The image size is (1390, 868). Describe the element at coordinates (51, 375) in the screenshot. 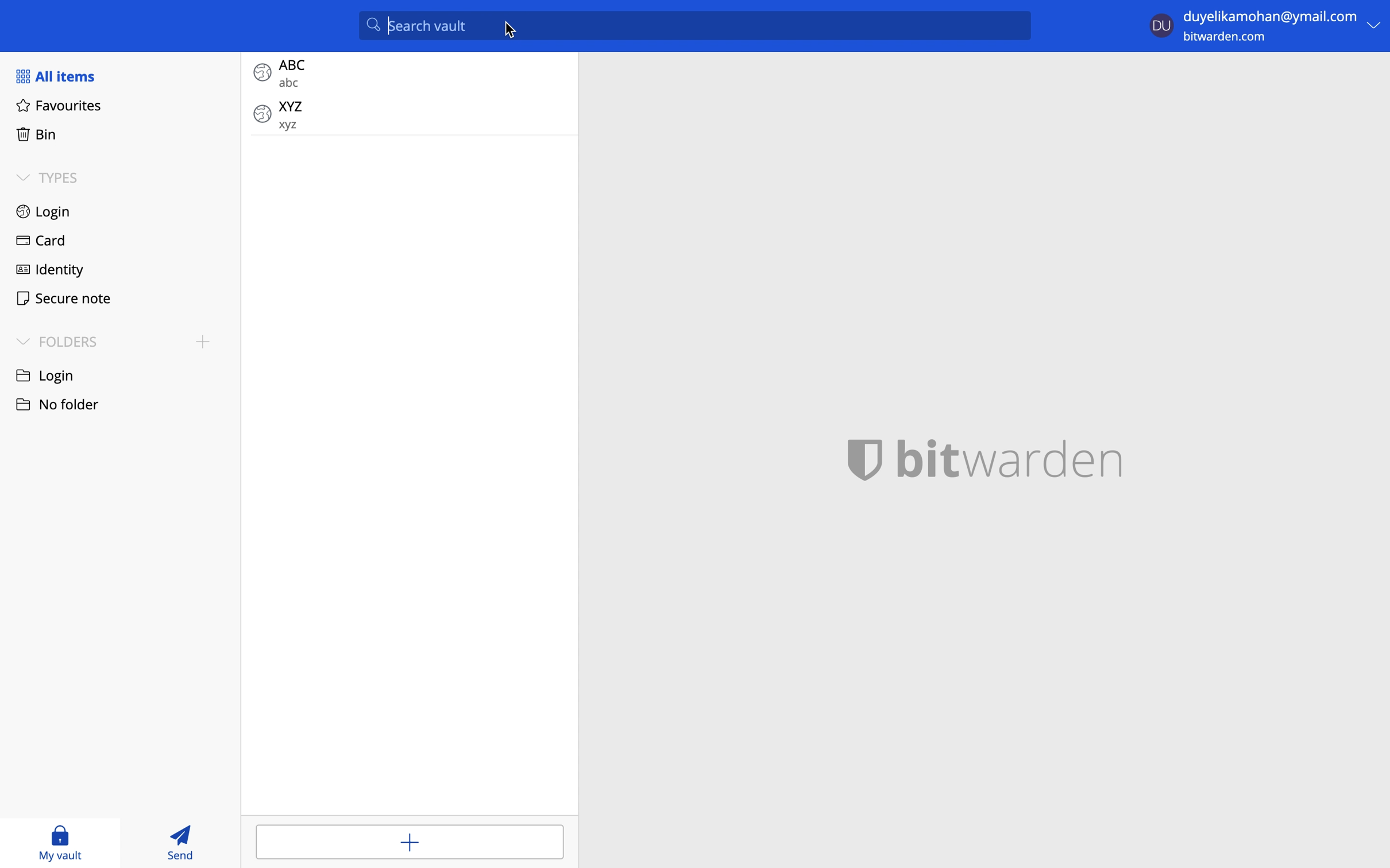

I see `login` at that location.